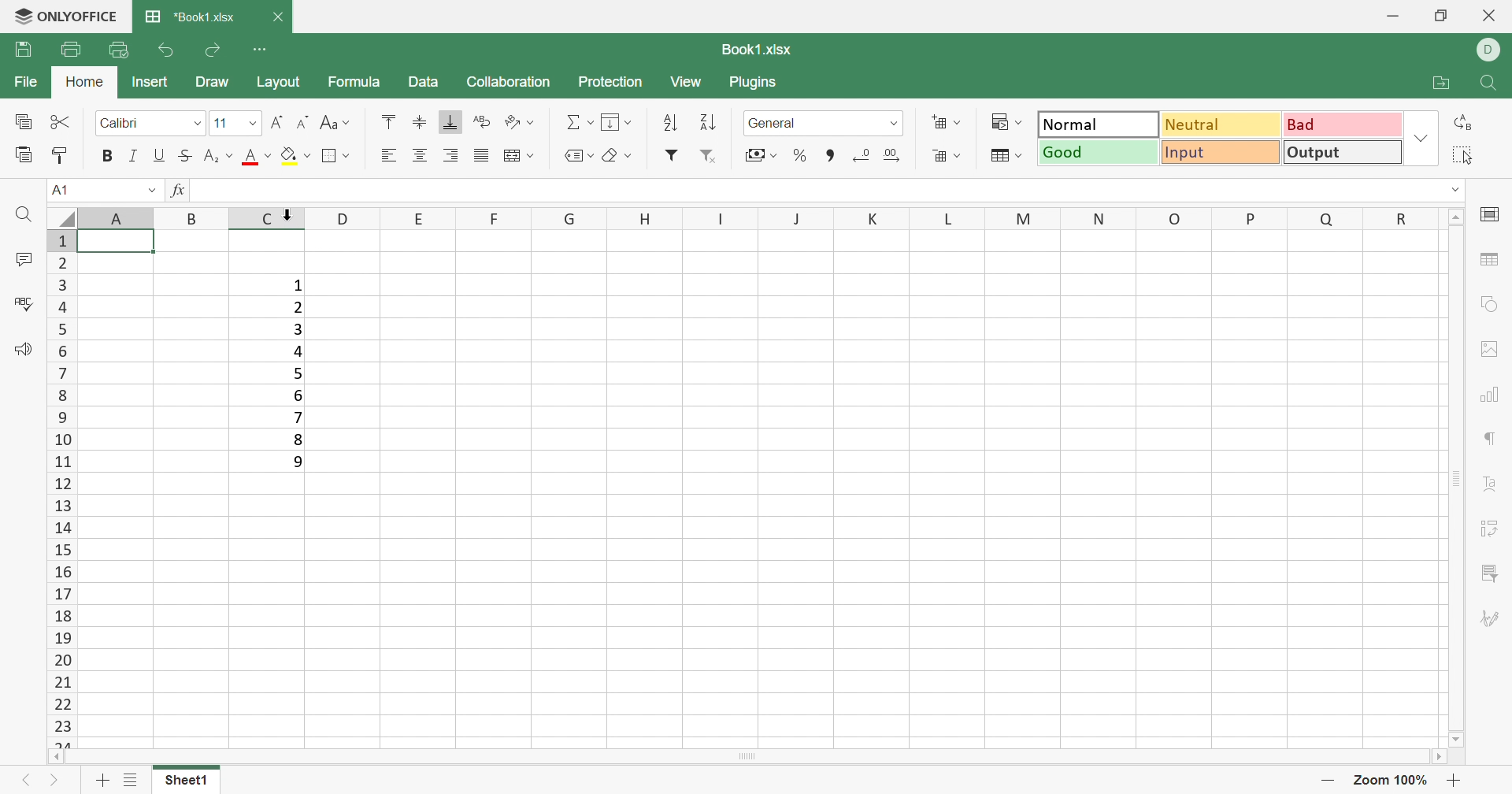  What do you see at coordinates (118, 212) in the screenshot?
I see `A` at bounding box center [118, 212].